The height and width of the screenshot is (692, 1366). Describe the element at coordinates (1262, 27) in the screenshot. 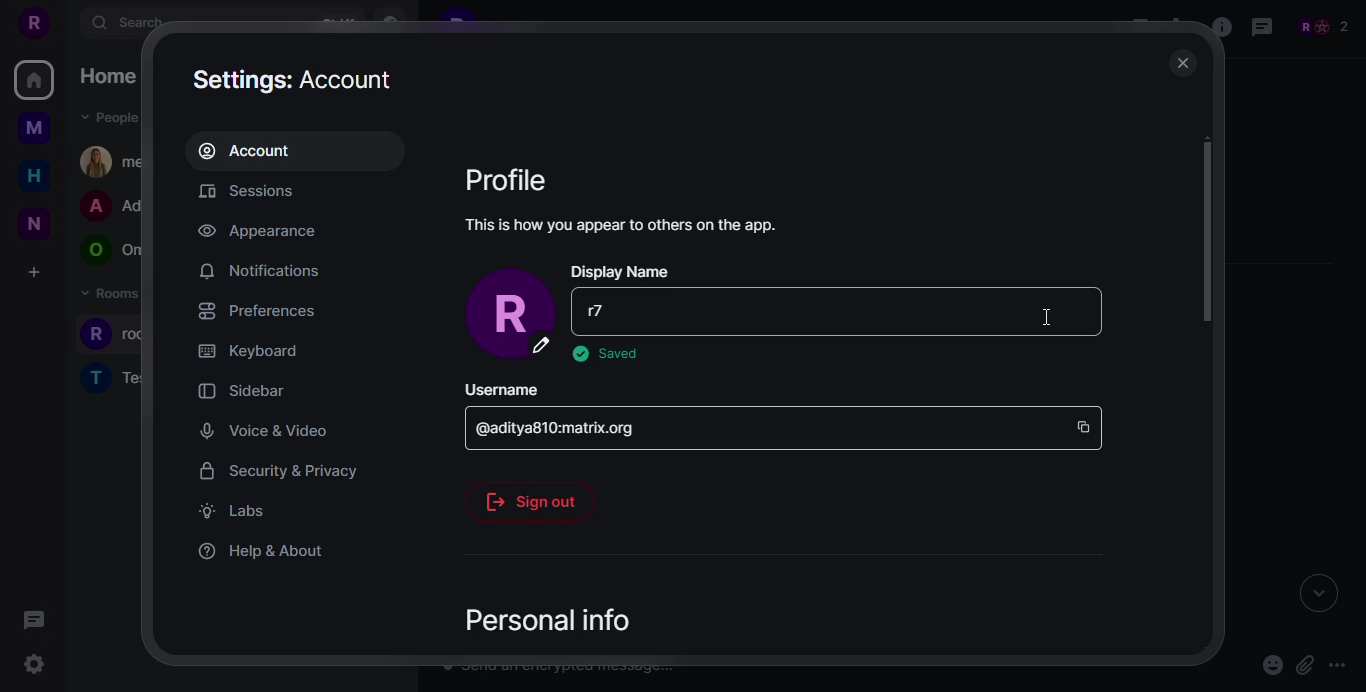

I see `threads` at that location.